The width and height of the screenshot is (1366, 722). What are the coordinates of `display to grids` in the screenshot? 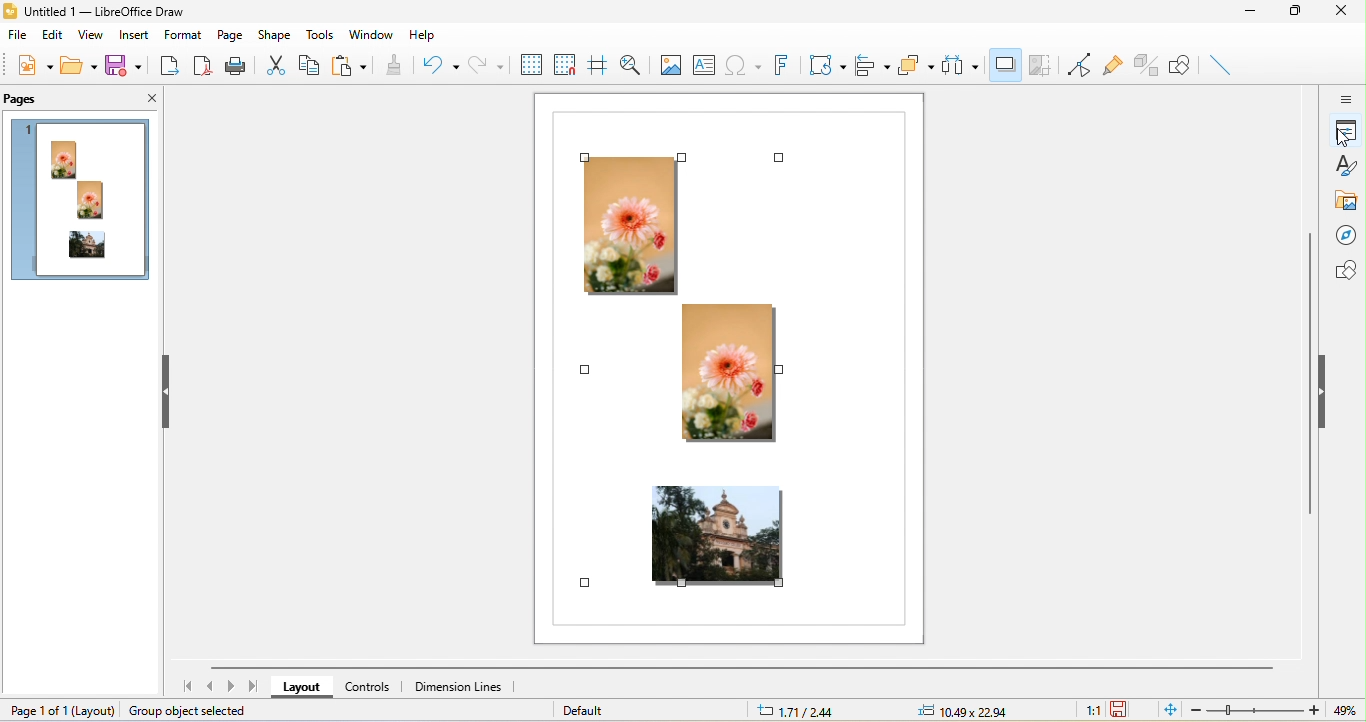 It's located at (530, 64).